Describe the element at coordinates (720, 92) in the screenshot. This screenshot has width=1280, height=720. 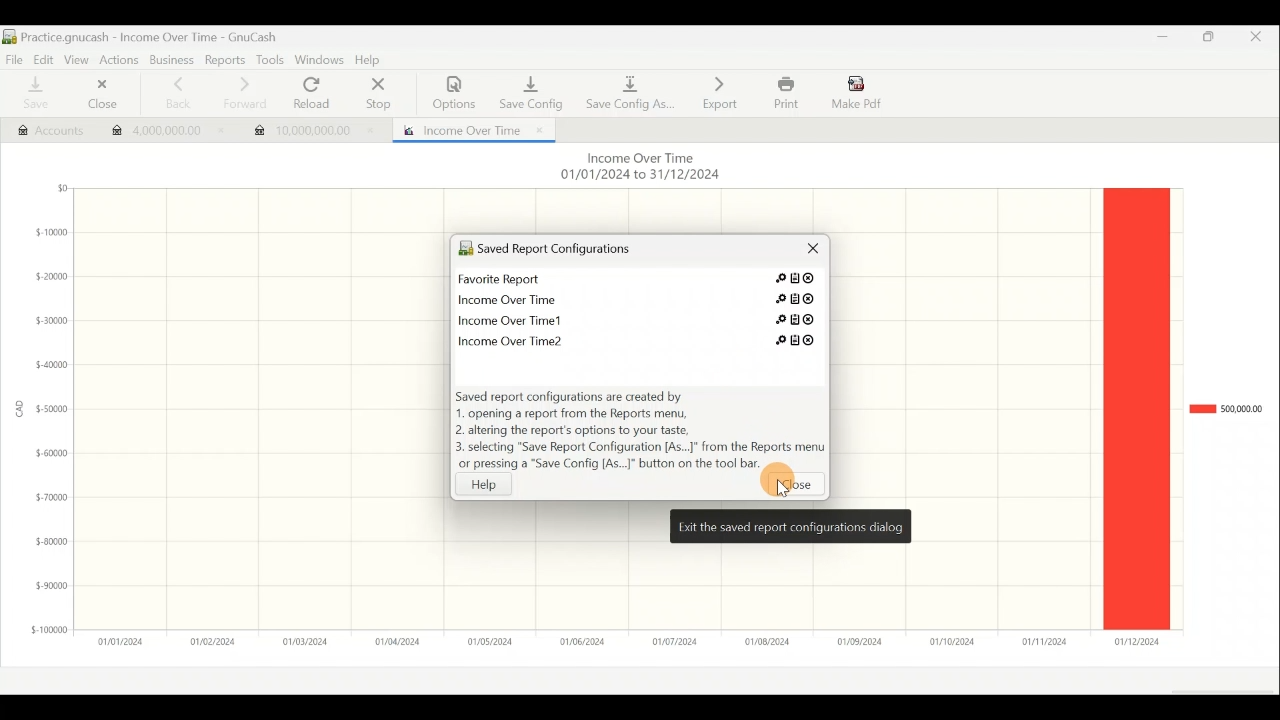
I see `Export` at that location.